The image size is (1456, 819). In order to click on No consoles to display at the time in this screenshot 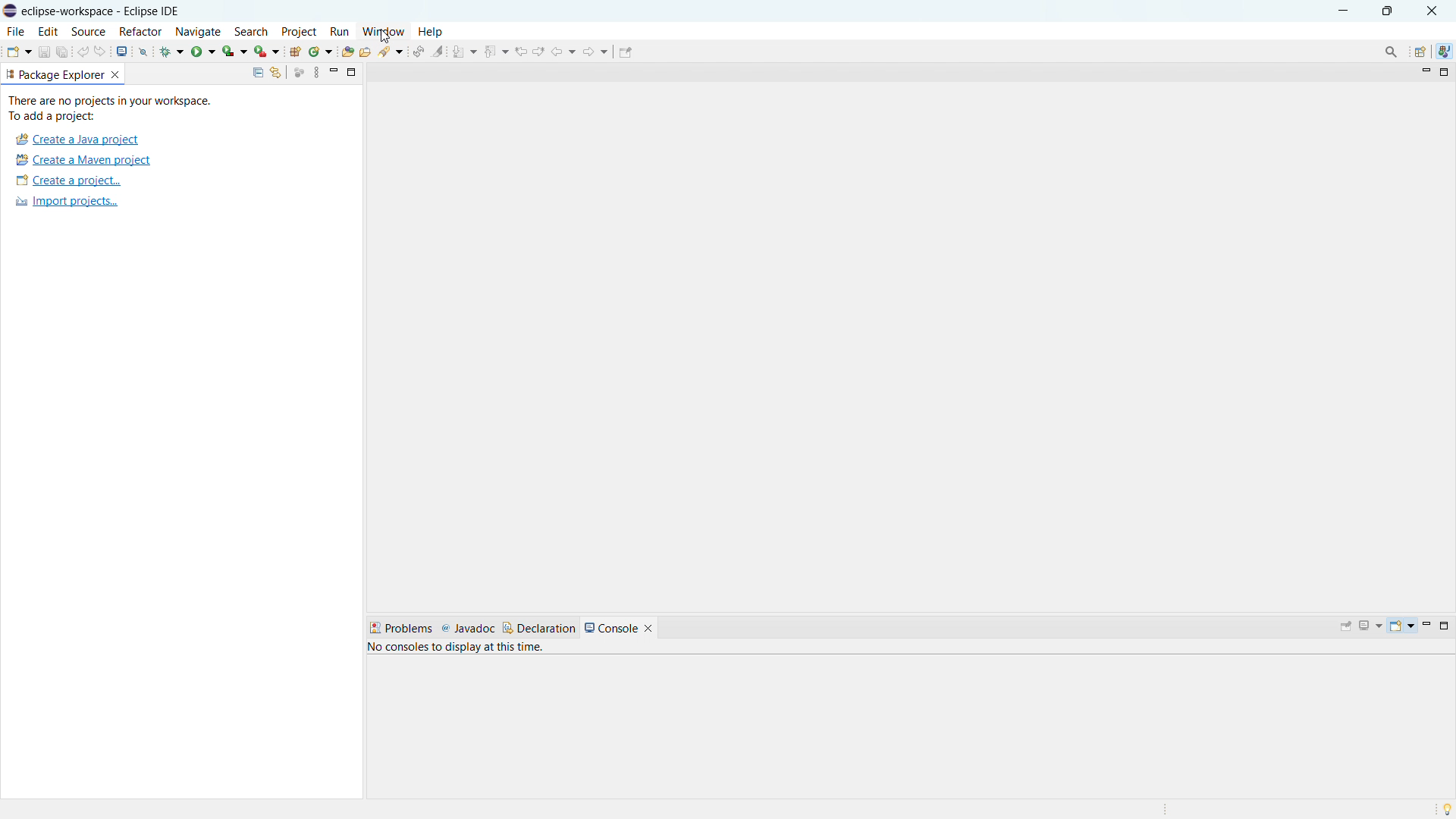, I will do `click(538, 648)`.